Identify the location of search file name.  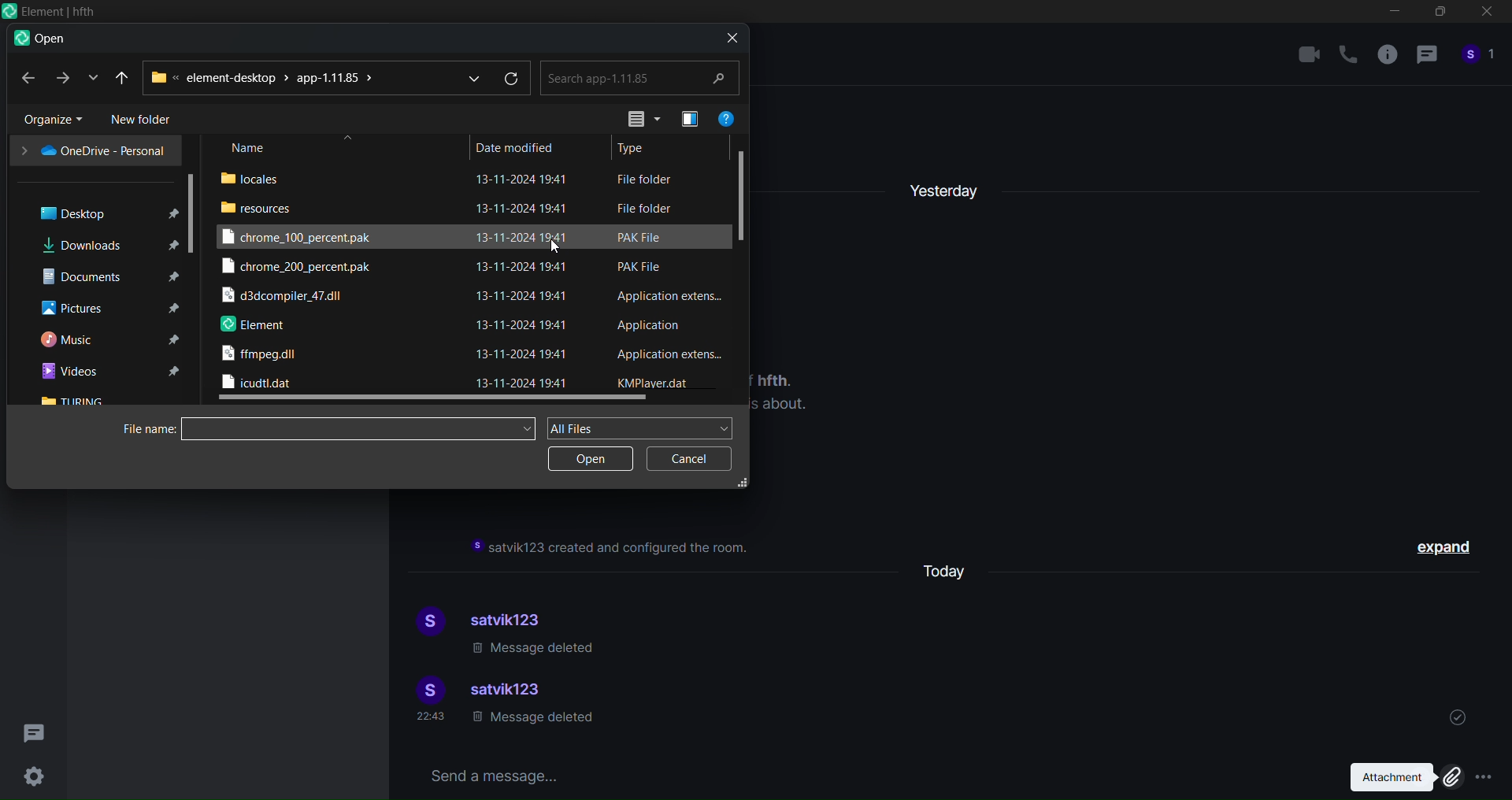
(362, 426).